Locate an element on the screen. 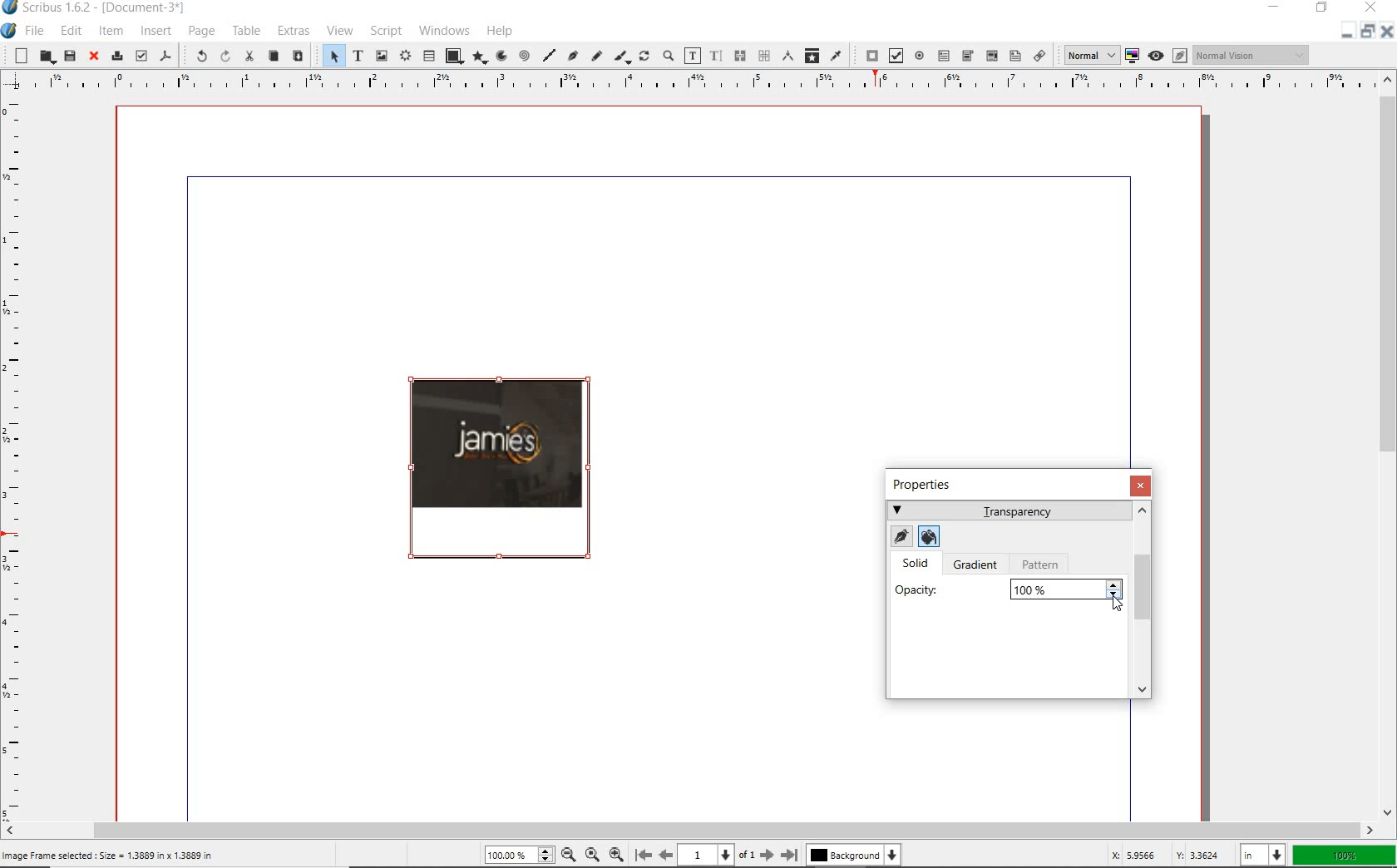  edit text with story editor is located at coordinates (714, 55).